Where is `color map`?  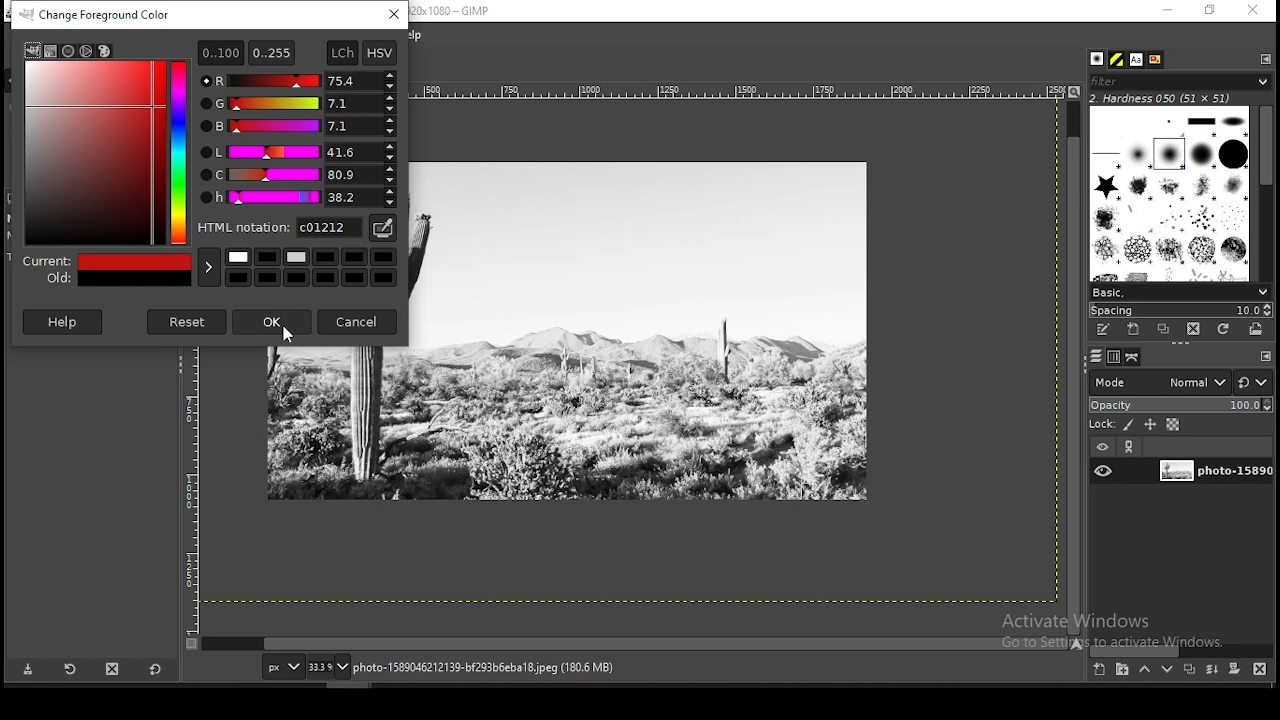 color map is located at coordinates (108, 151).